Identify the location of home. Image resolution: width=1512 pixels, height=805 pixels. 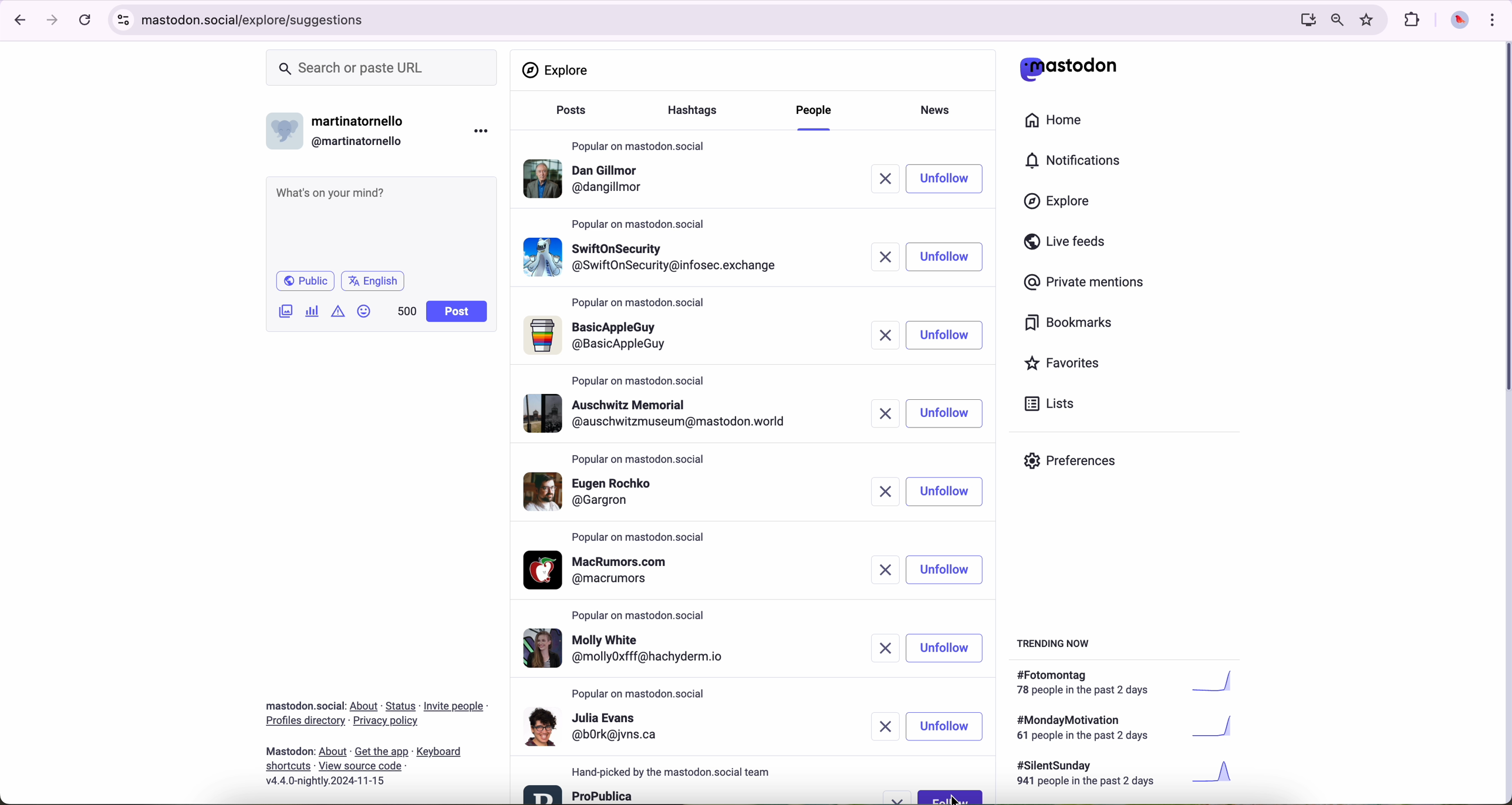
(1060, 123).